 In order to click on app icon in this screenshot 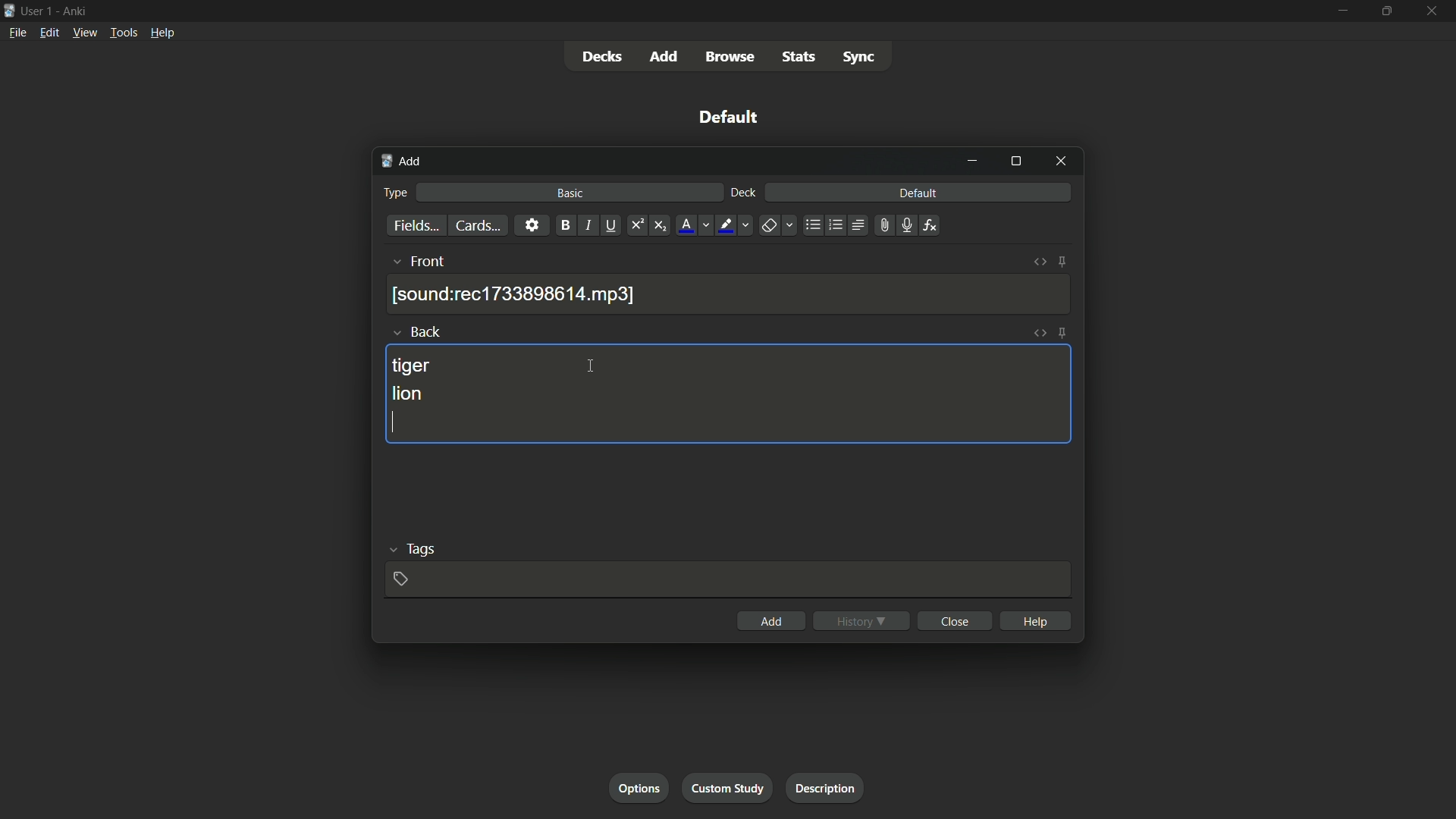, I will do `click(9, 9)`.